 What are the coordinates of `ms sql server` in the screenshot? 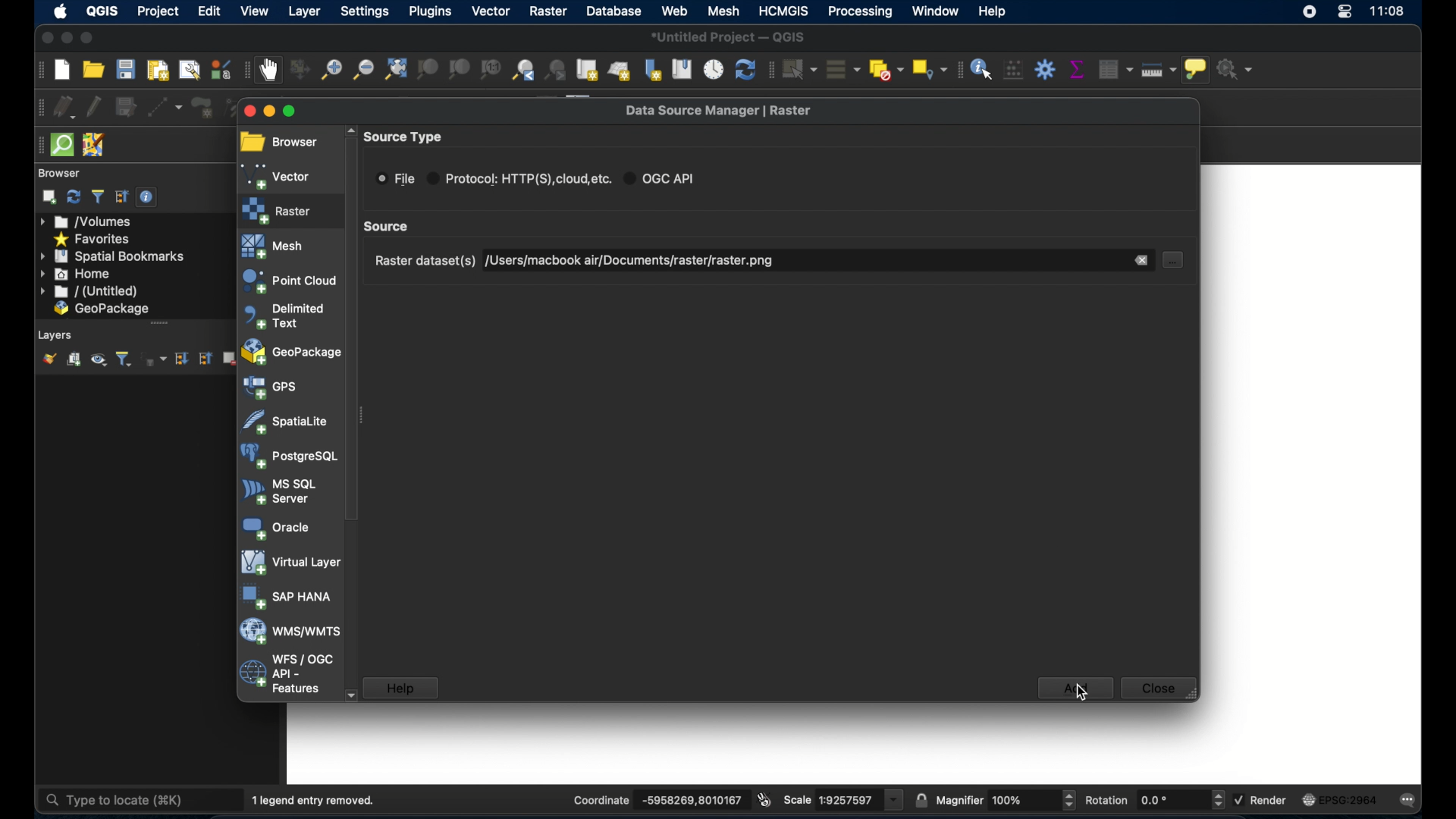 It's located at (284, 491).